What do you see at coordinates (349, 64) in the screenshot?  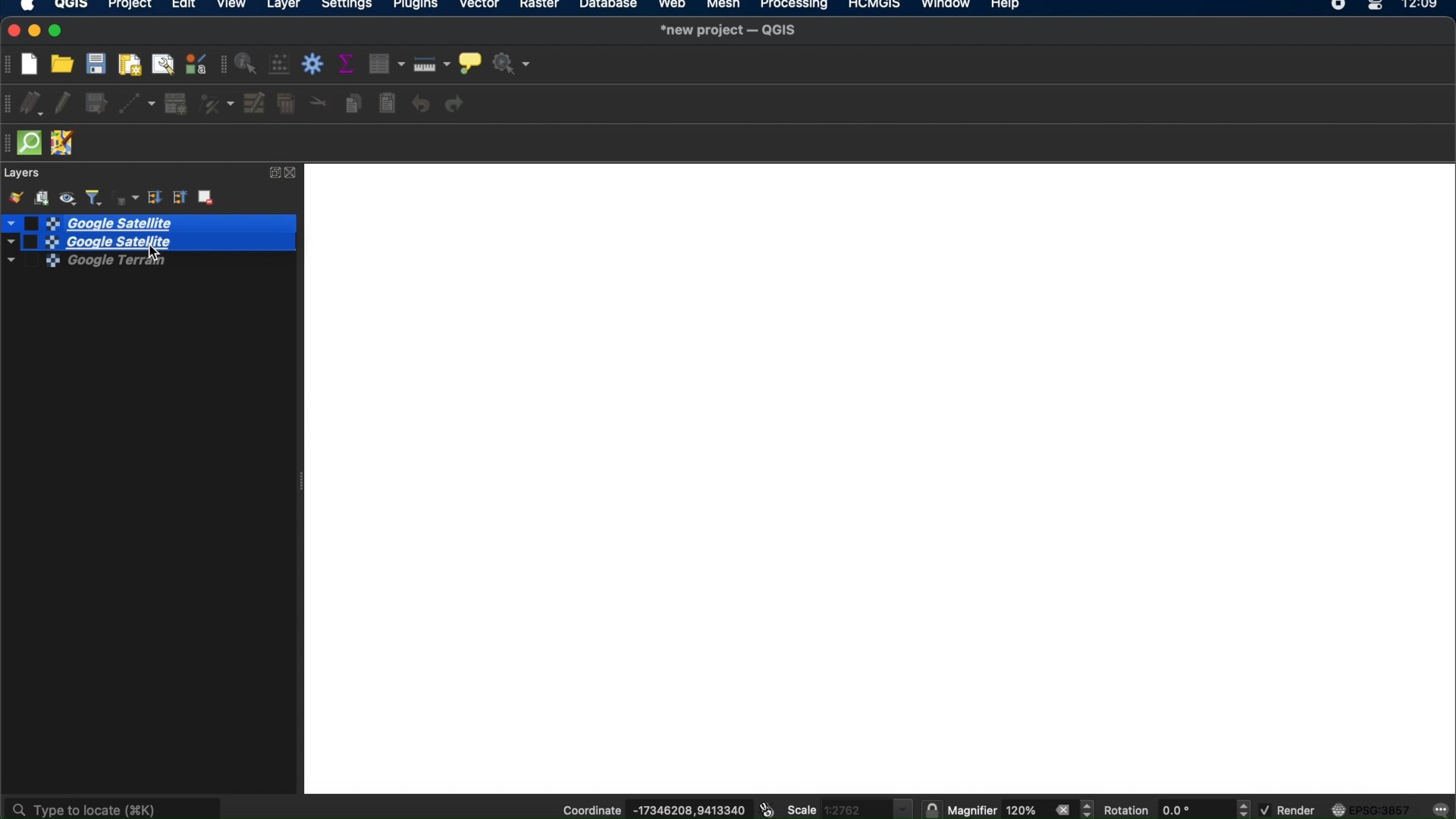 I see `show summary statistics` at bounding box center [349, 64].